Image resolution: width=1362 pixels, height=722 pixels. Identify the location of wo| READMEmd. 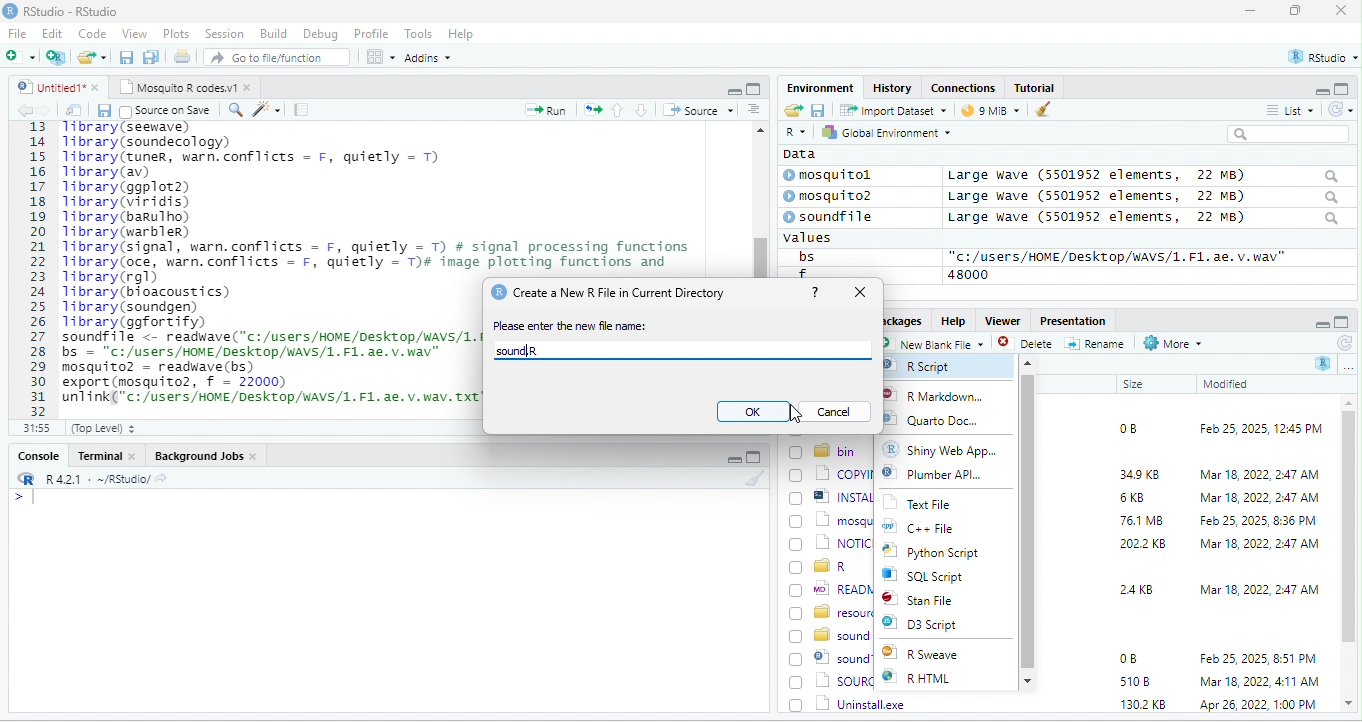
(830, 588).